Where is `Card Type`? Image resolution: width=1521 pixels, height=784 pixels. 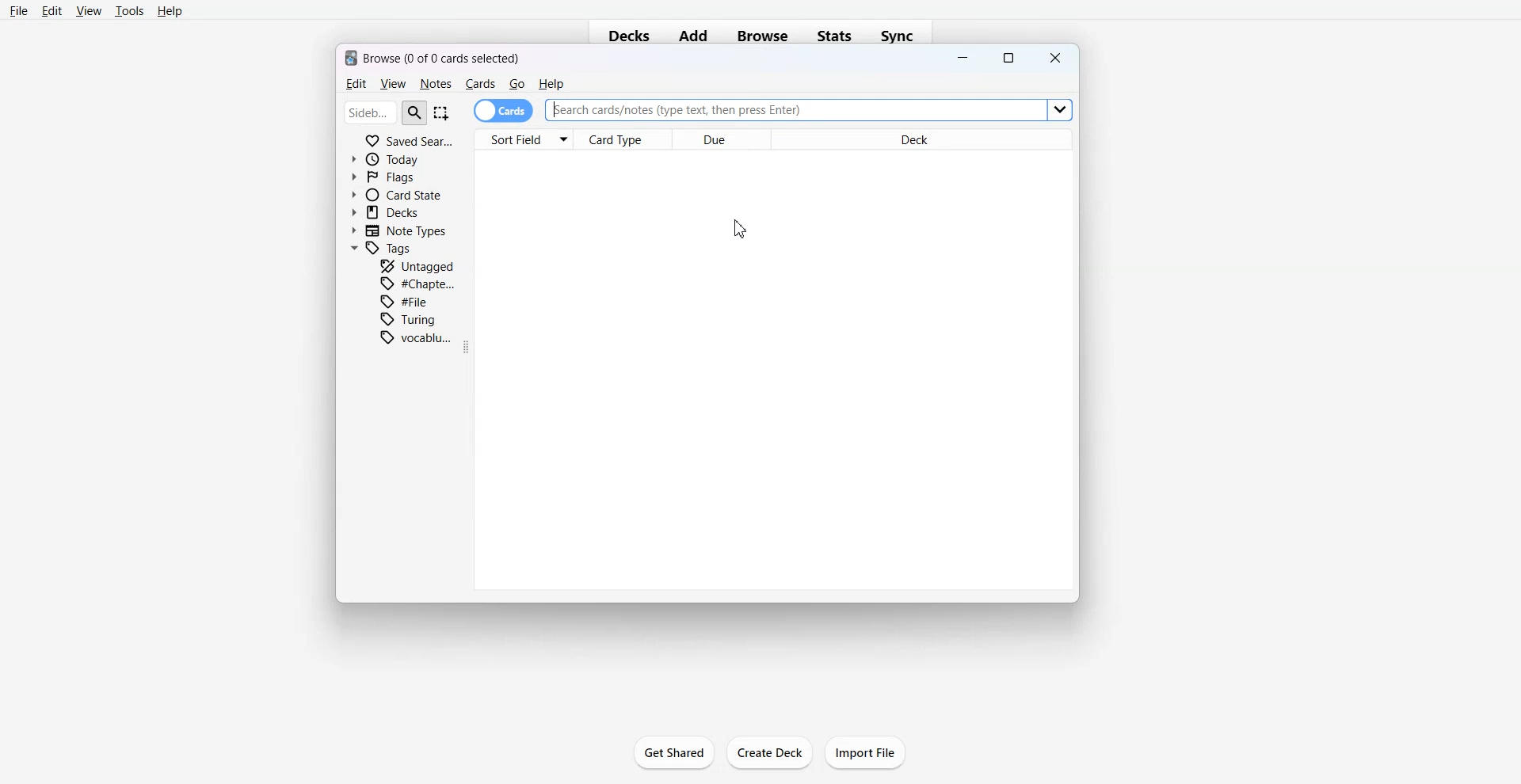 Card Type is located at coordinates (624, 139).